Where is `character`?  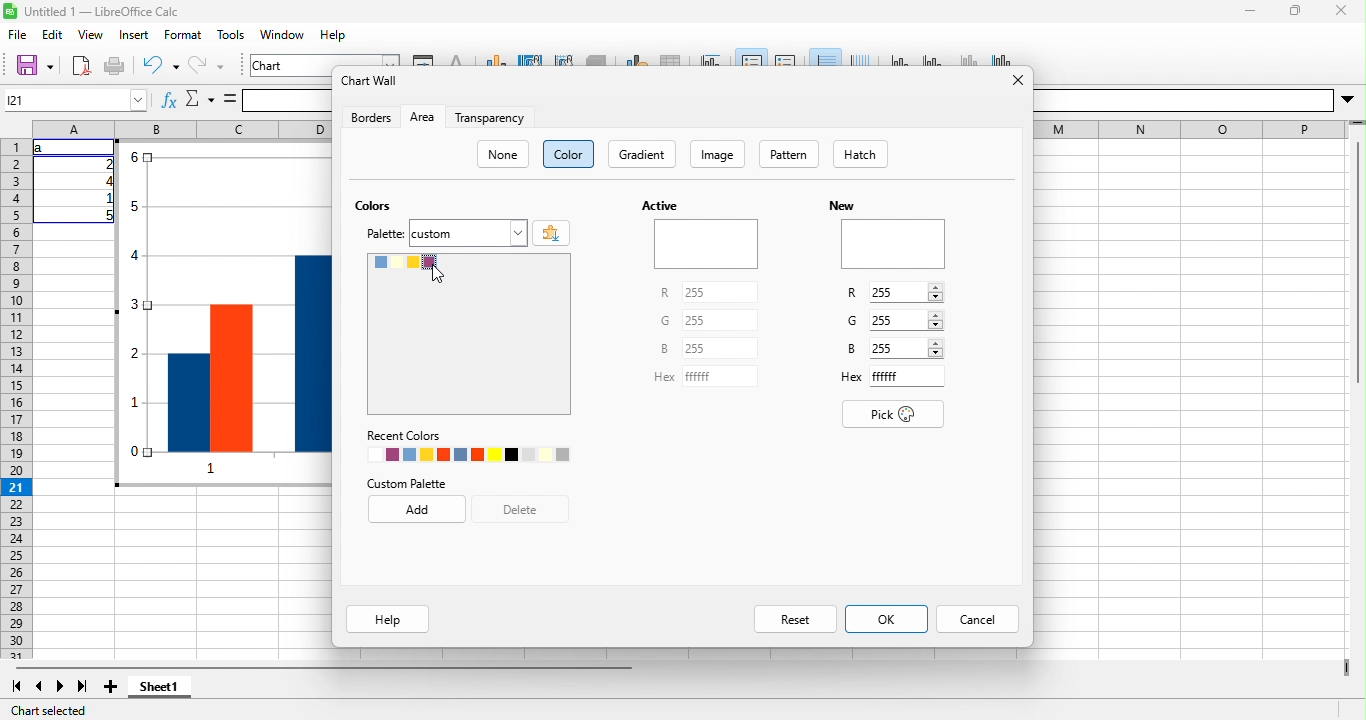
character is located at coordinates (457, 59).